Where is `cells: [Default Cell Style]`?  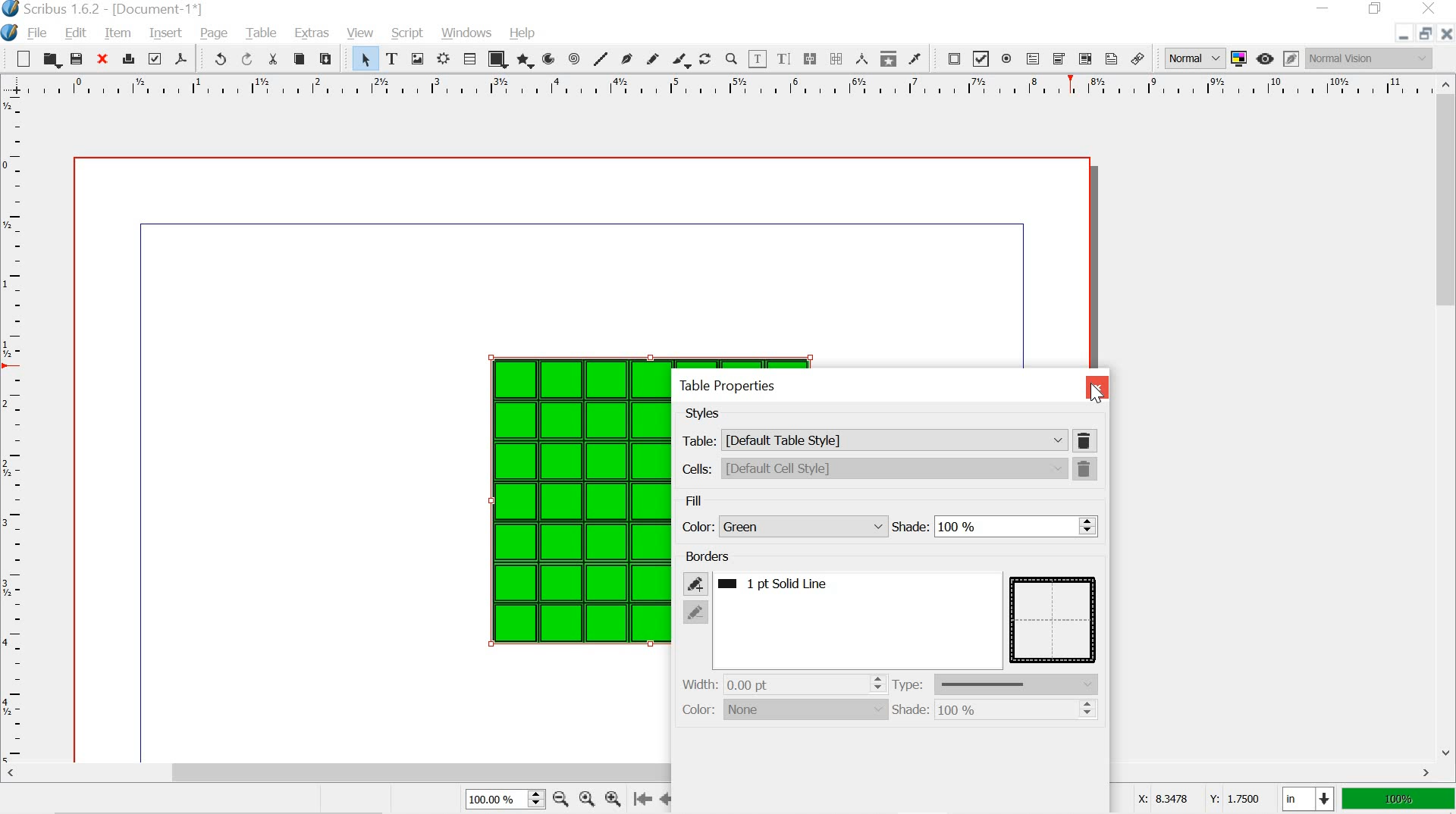
cells: [Default Cell Style] is located at coordinates (874, 468).